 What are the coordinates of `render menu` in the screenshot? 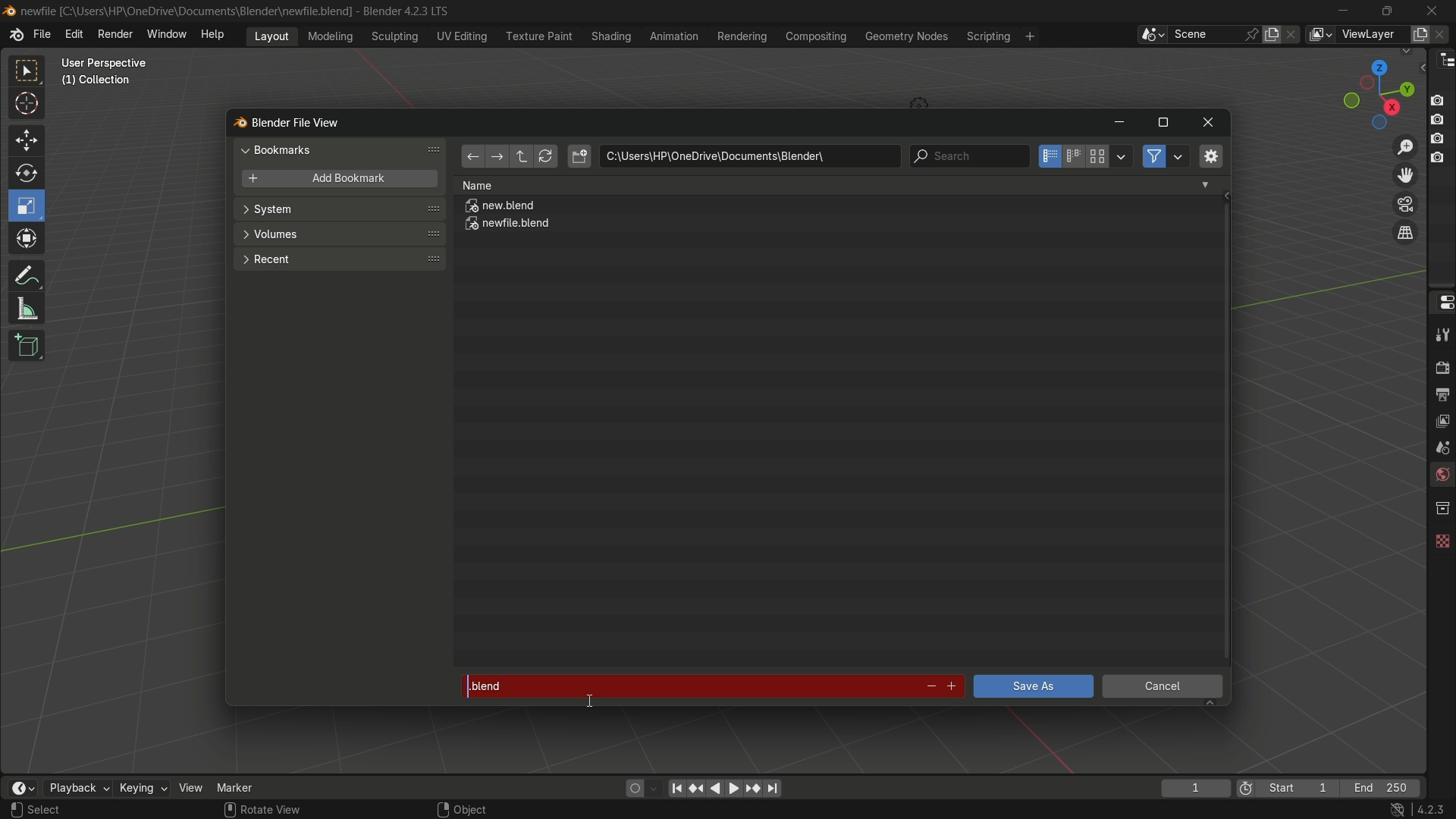 It's located at (115, 33).